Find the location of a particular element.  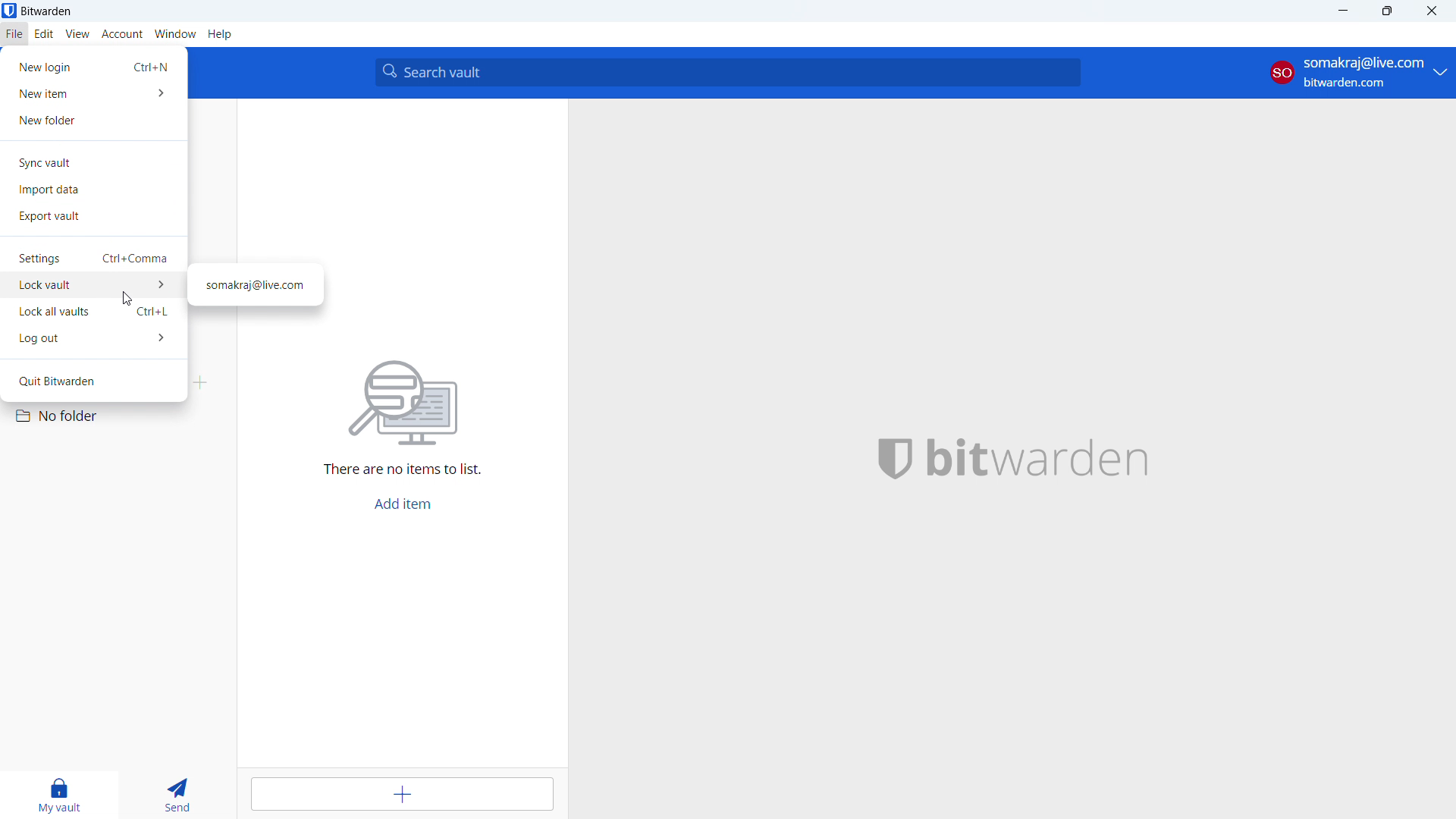

close is located at coordinates (1432, 11).